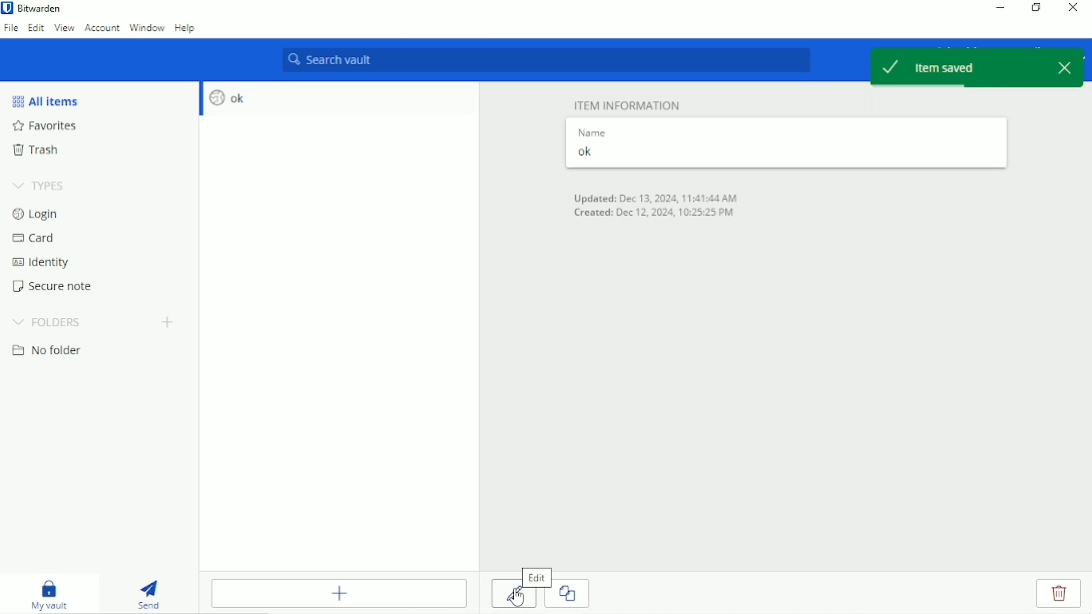 This screenshot has height=614, width=1092. Describe the element at coordinates (155, 591) in the screenshot. I see `Send` at that location.